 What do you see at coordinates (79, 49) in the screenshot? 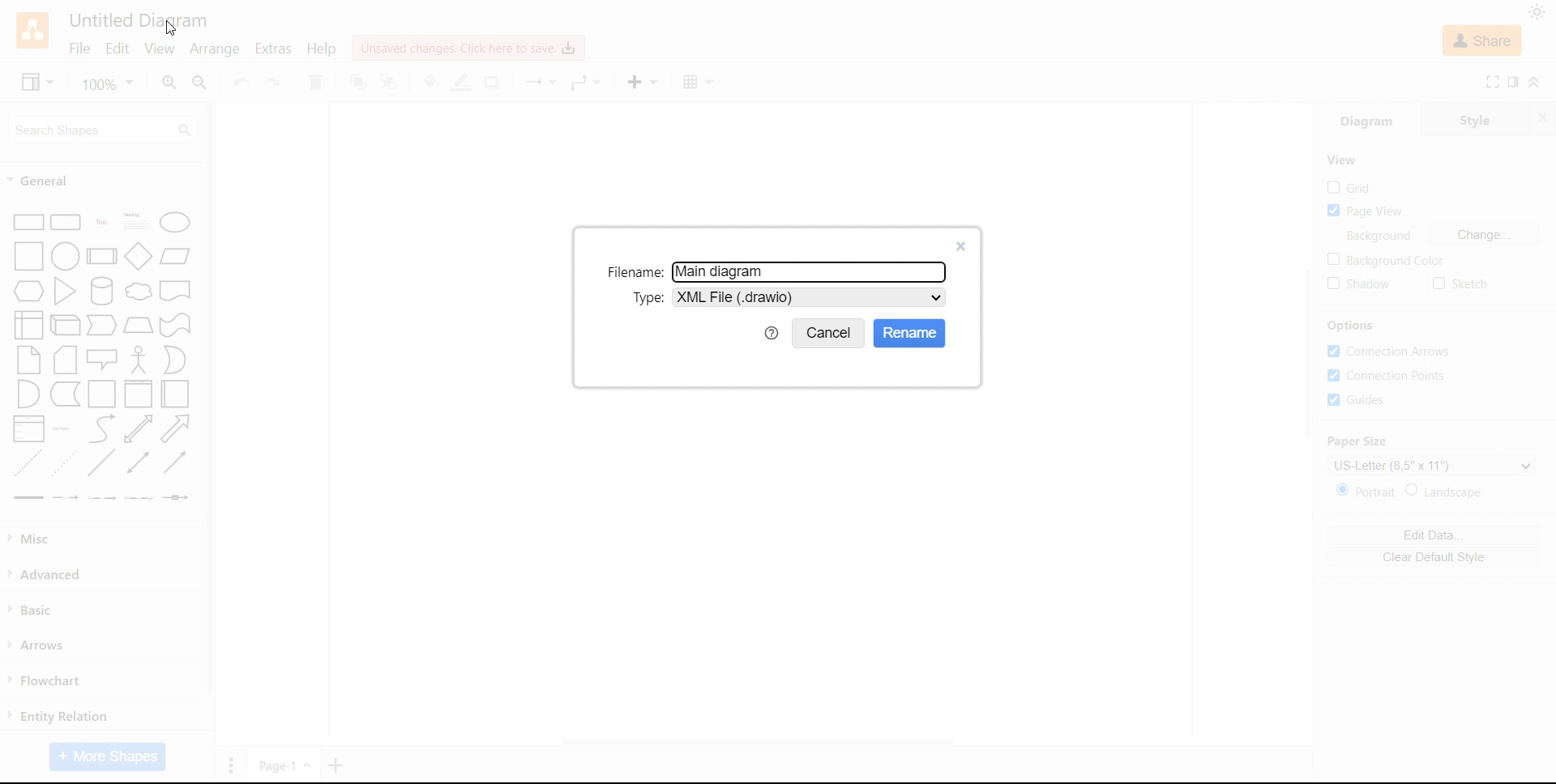
I see `File ` at bounding box center [79, 49].